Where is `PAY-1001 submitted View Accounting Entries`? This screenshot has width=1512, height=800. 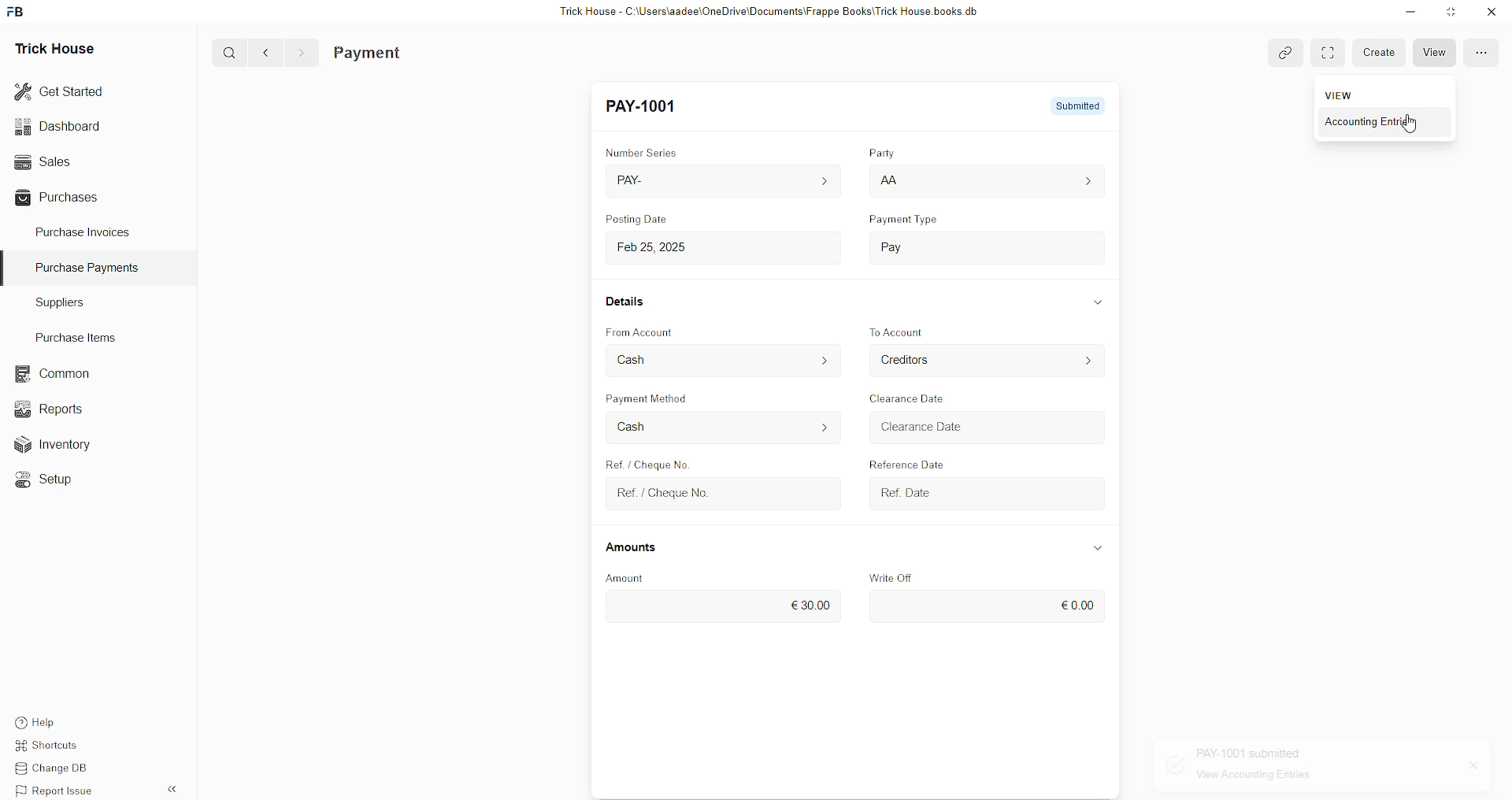 PAY-1001 submitted View Accounting Entries is located at coordinates (1274, 766).